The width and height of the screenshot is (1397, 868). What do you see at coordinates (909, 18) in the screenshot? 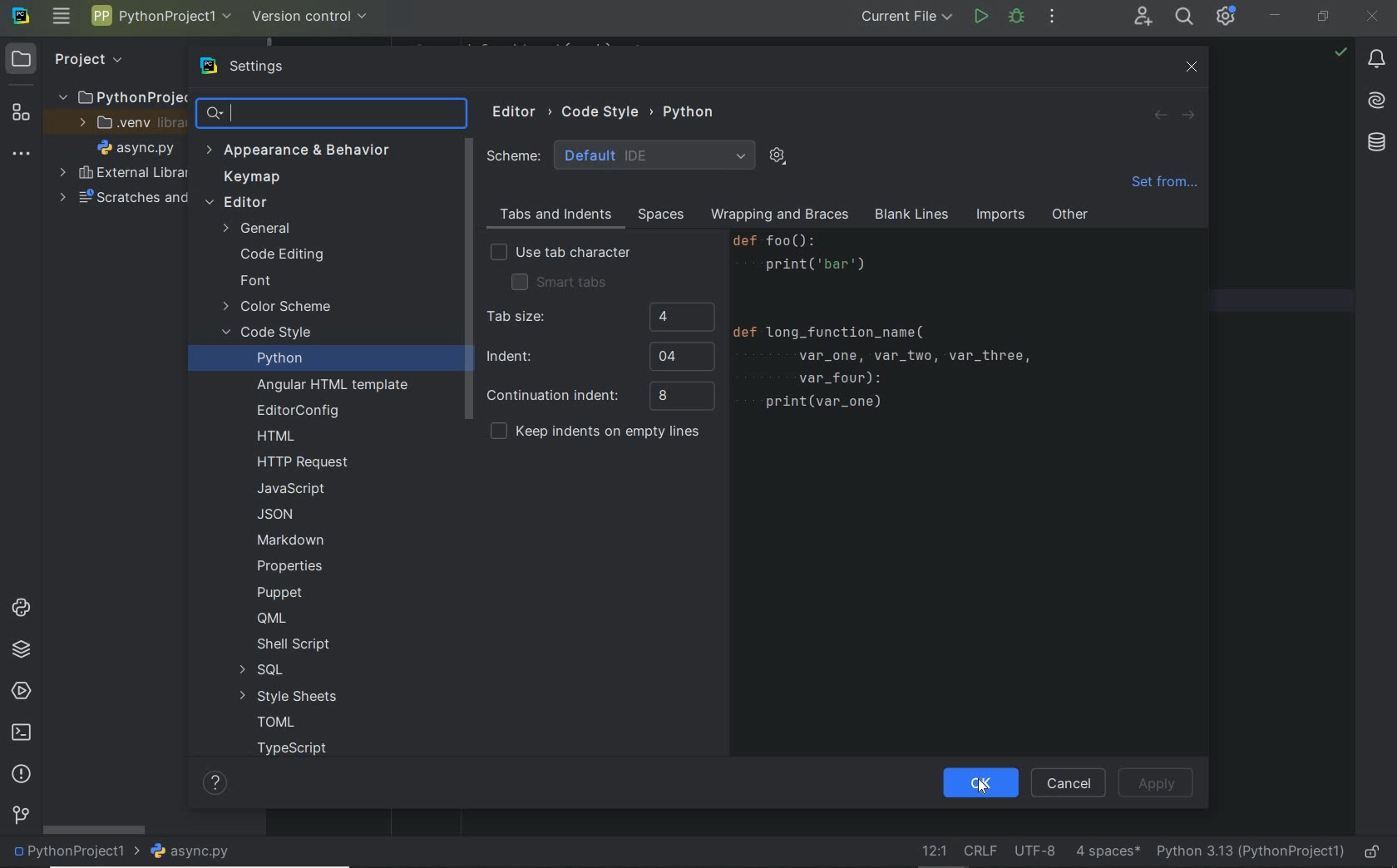
I see `current file` at bounding box center [909, 18].